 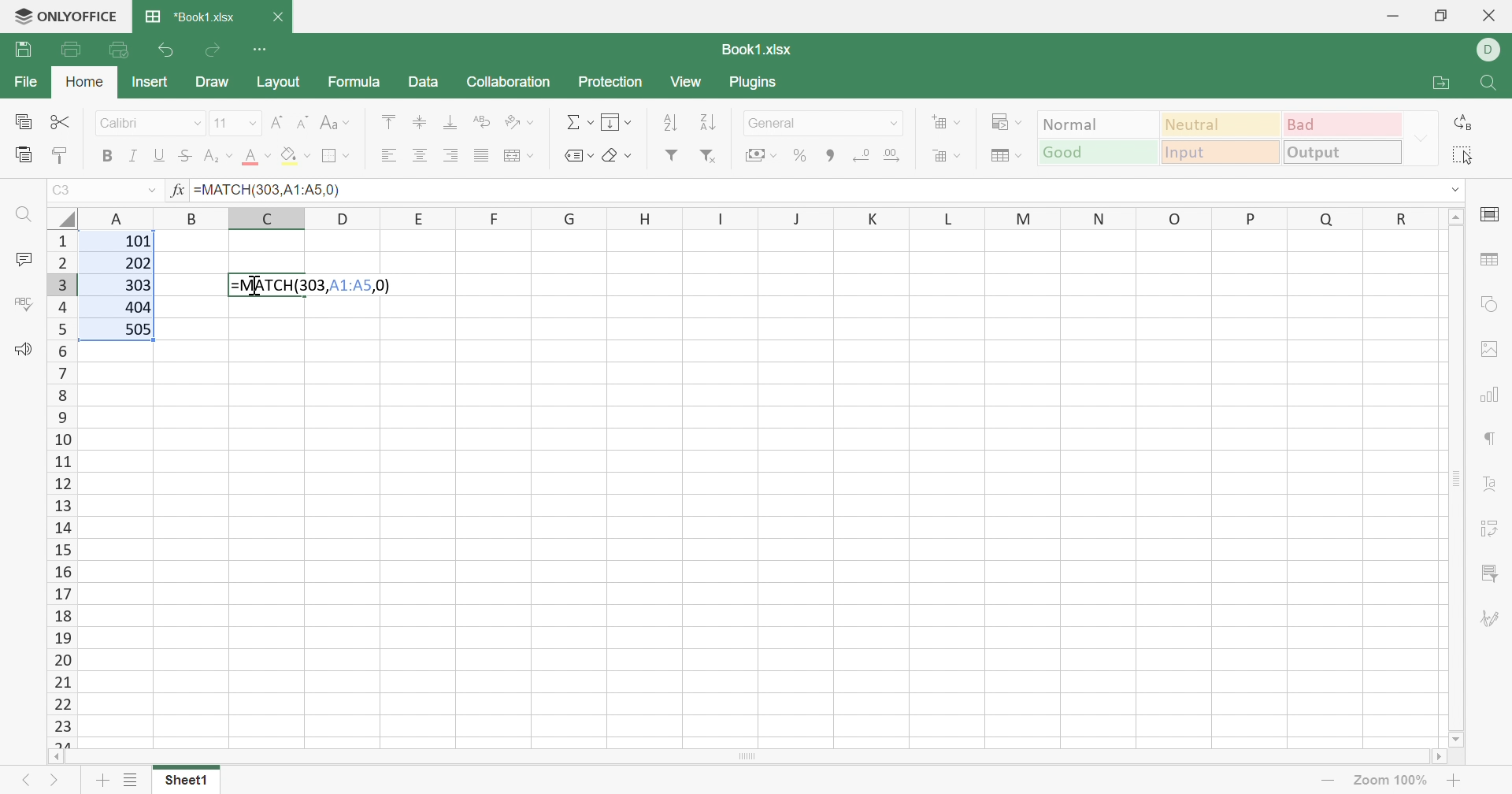 What do you see at coordinates (1492, 573) in the screenshot?
I see `slicer settings` at bounding box center [1492, 573].